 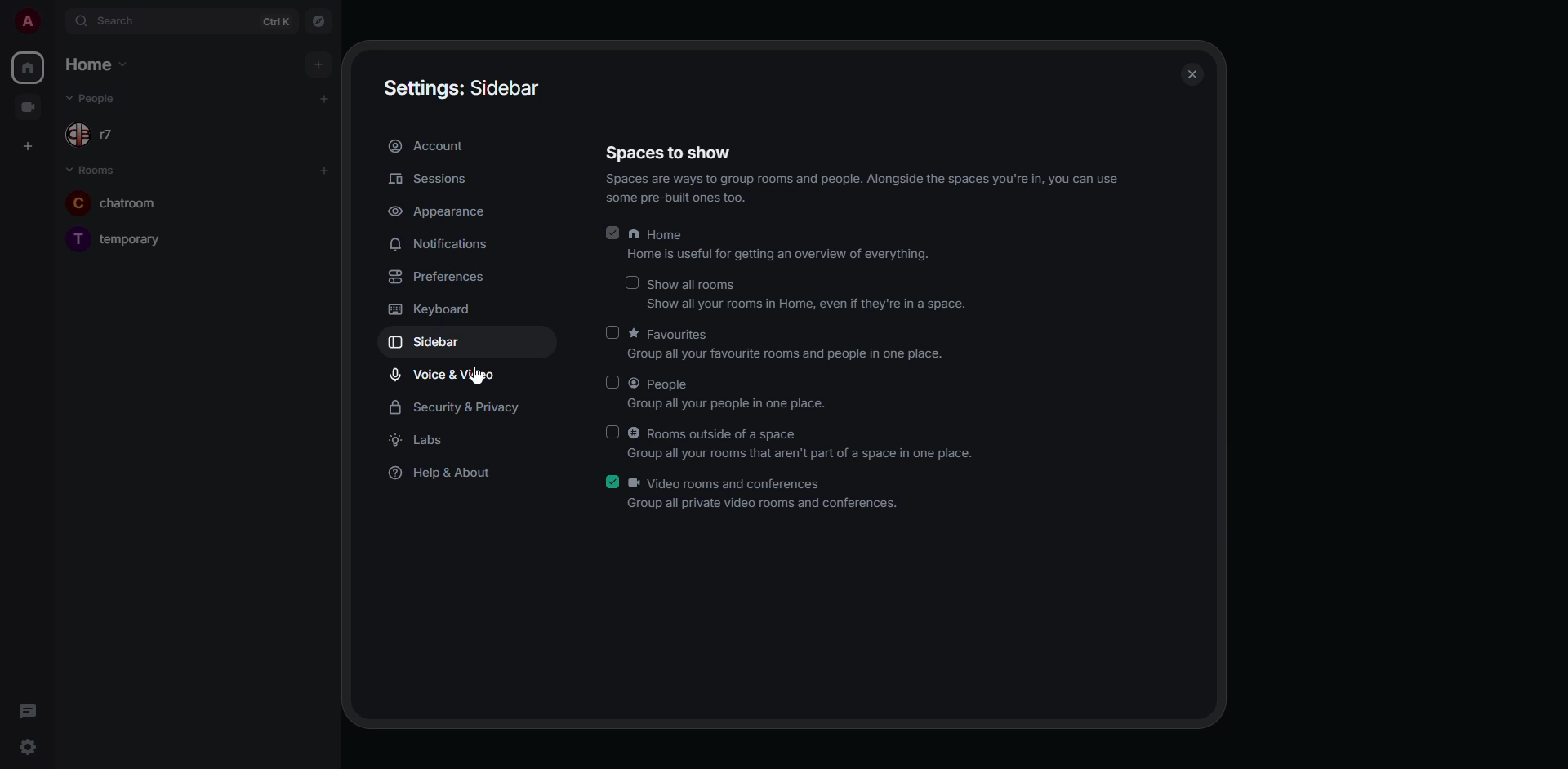 What do you see at coordinates (630, 283) in the screenshot?
I see `click to enable` at bounding box center [630, 283].